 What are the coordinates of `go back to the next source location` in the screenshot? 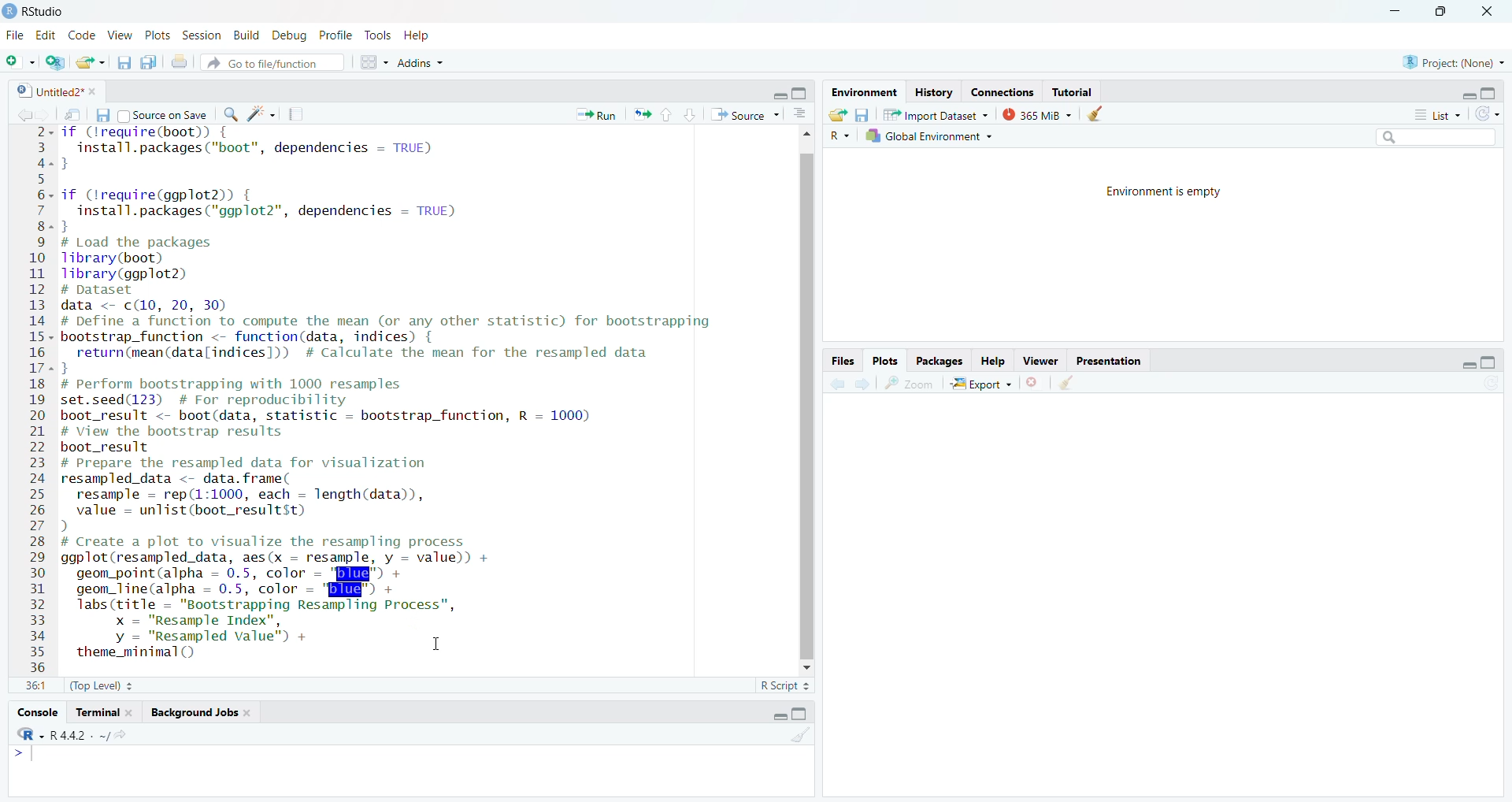 It's located at (46, 114).